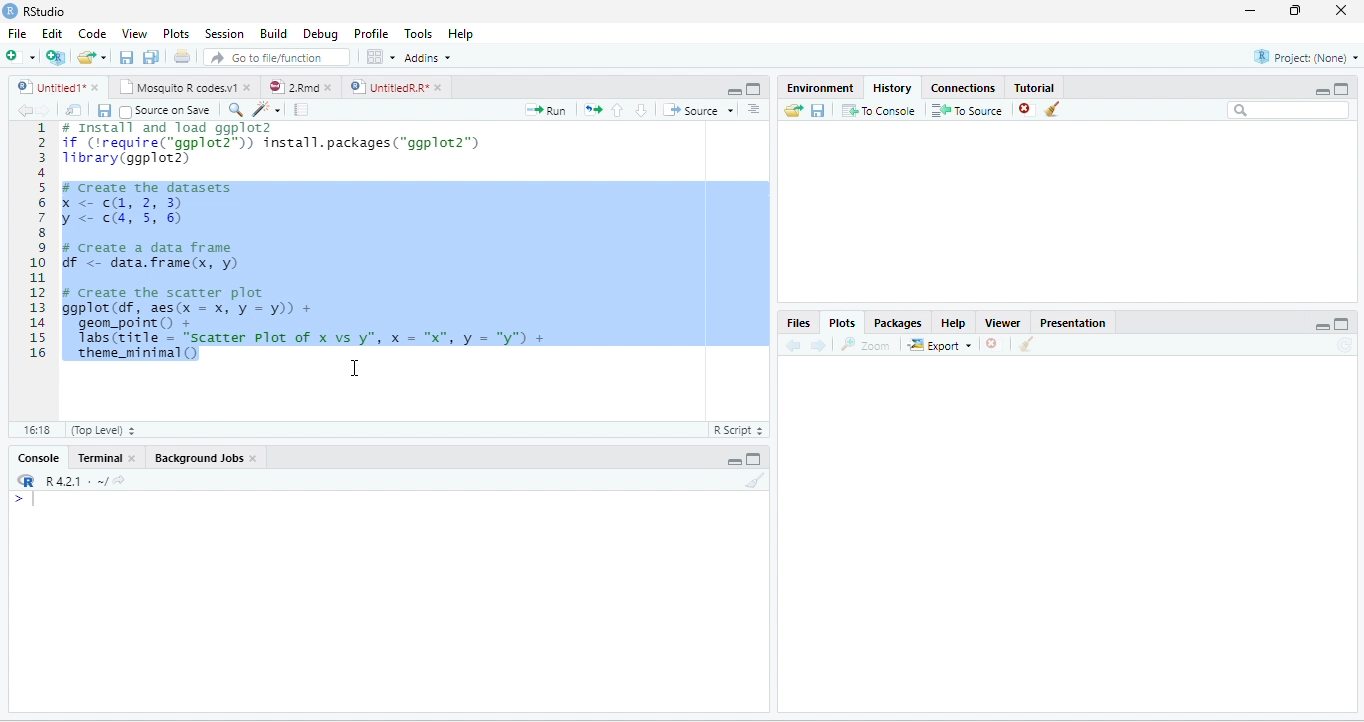  What do you see at coordinates (119, 479) in the screenshot?
I see `View the current working directory` at bounding box center [119, 479].